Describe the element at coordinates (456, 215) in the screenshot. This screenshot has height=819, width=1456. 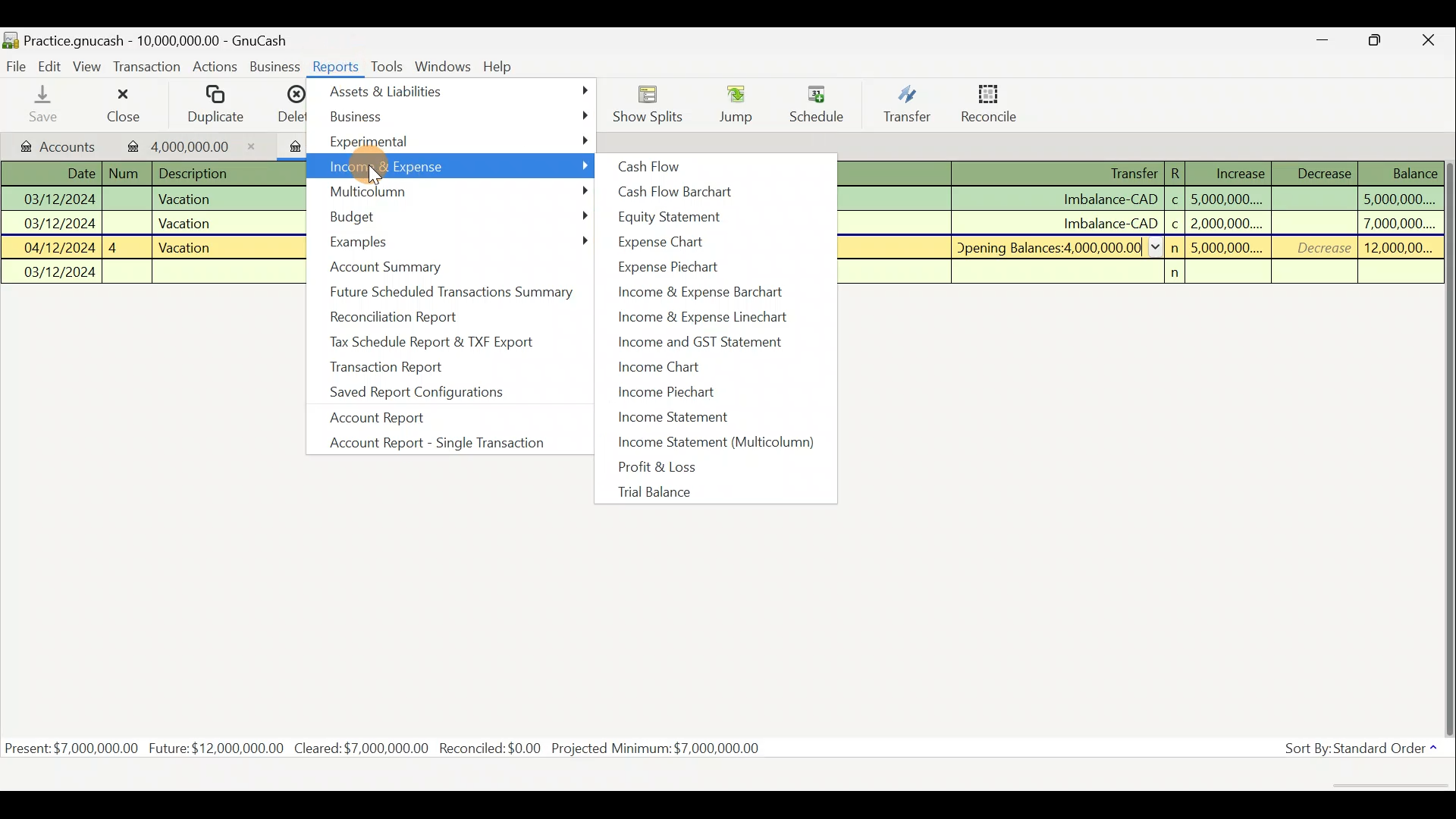
I see `Budget` at that location.